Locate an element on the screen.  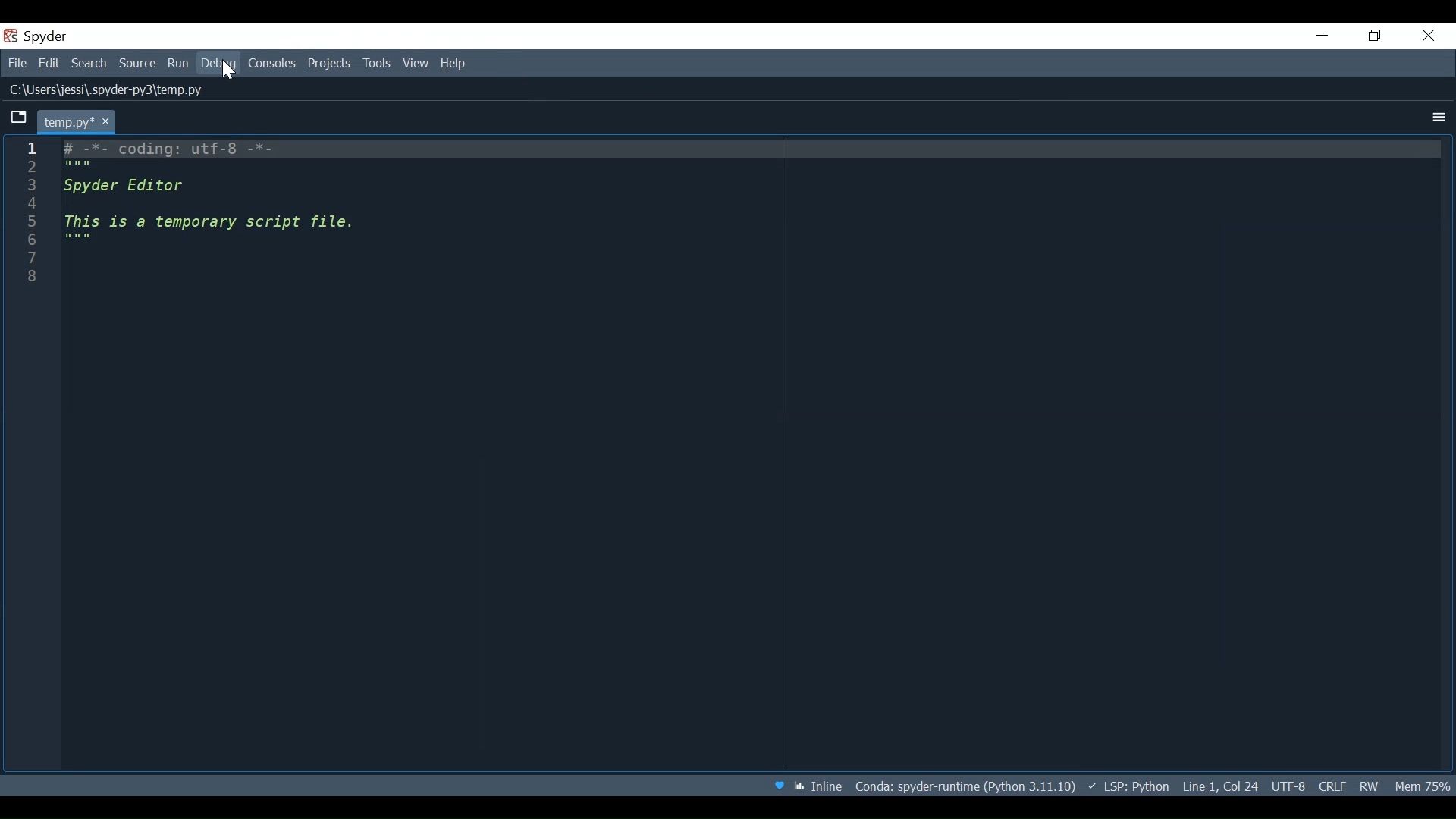
Tools is located at coordinates (375, 65).